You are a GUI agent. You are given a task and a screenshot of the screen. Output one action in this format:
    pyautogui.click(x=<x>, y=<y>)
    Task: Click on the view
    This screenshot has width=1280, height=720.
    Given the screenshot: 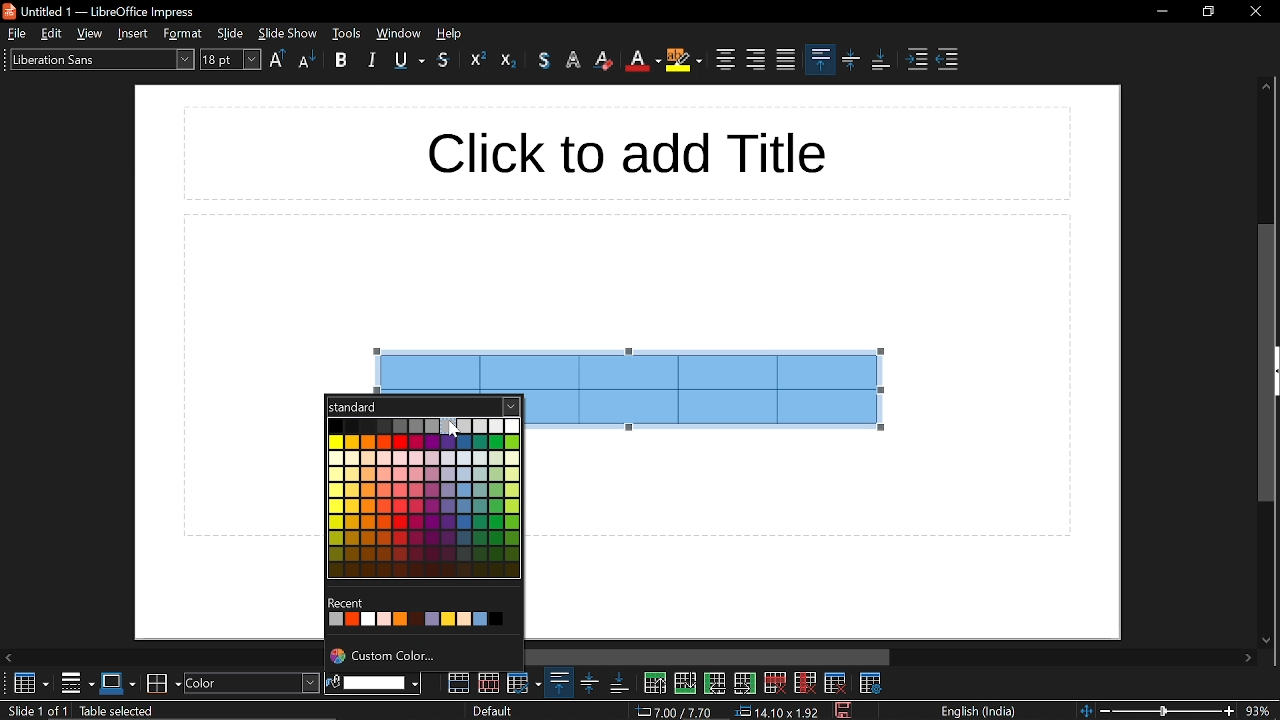 What is the action you would take?
    pyautogui.click(x=91, y=33)
    